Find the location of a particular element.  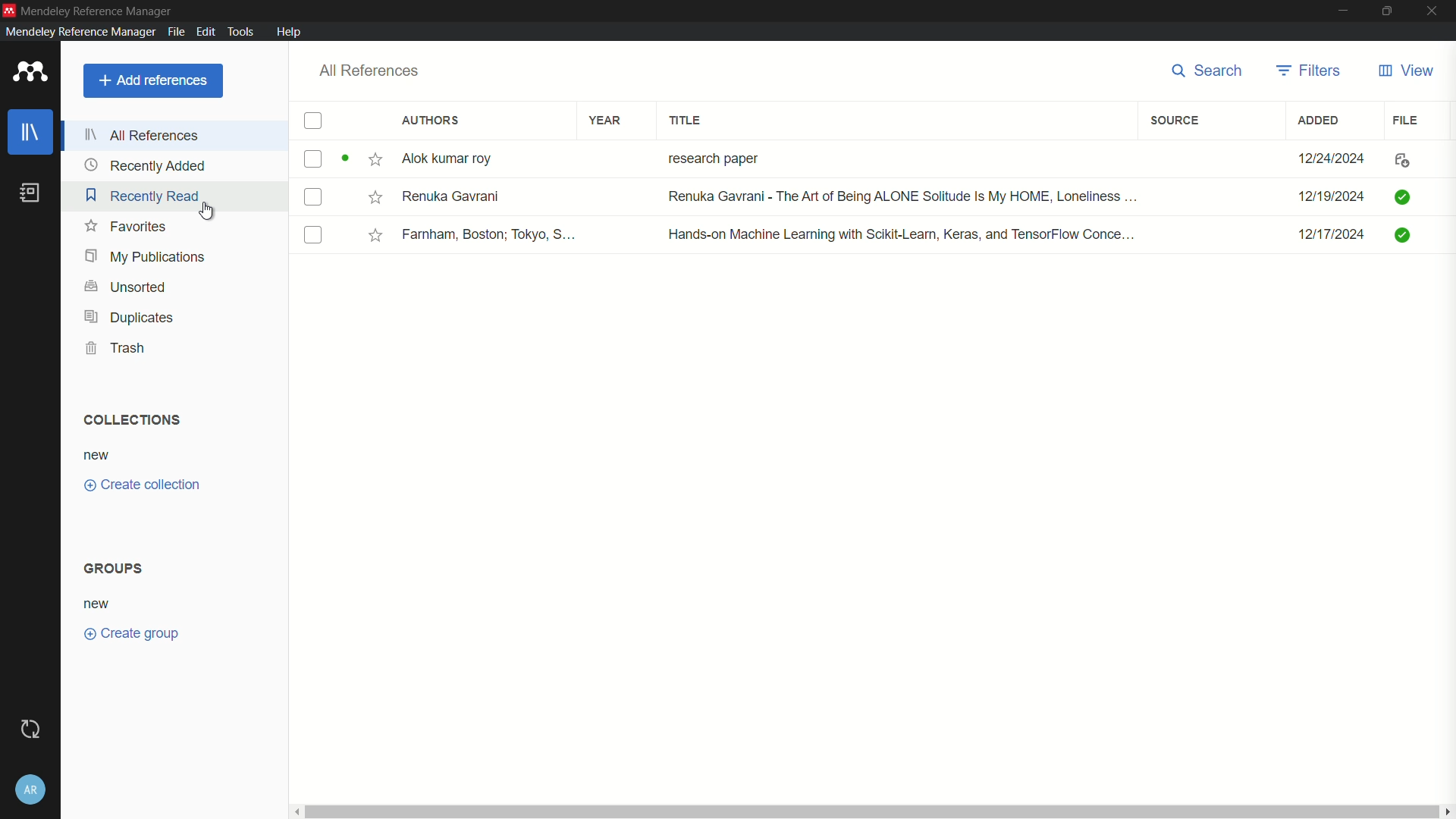

Hands-on Machine Learning is located at coordinates (902, 232).